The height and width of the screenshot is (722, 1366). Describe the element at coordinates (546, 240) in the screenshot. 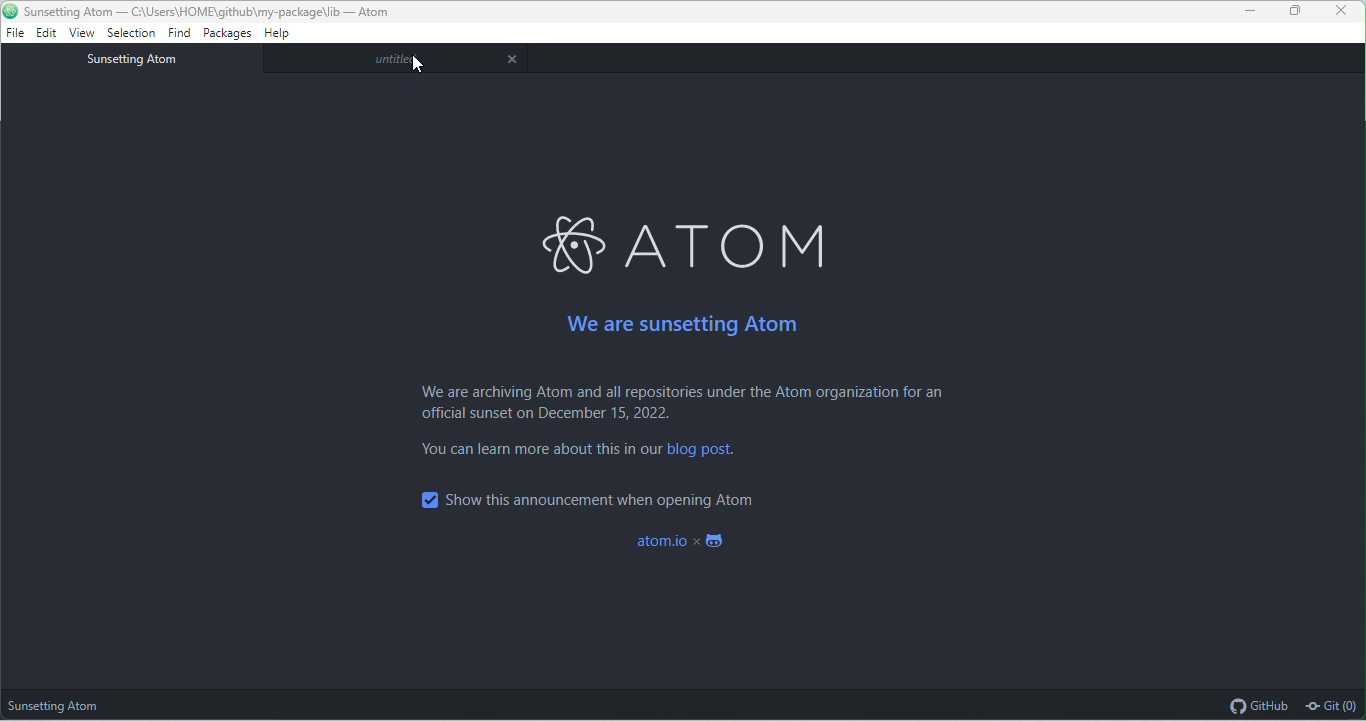

I see `ATOM LOGO` at that location.